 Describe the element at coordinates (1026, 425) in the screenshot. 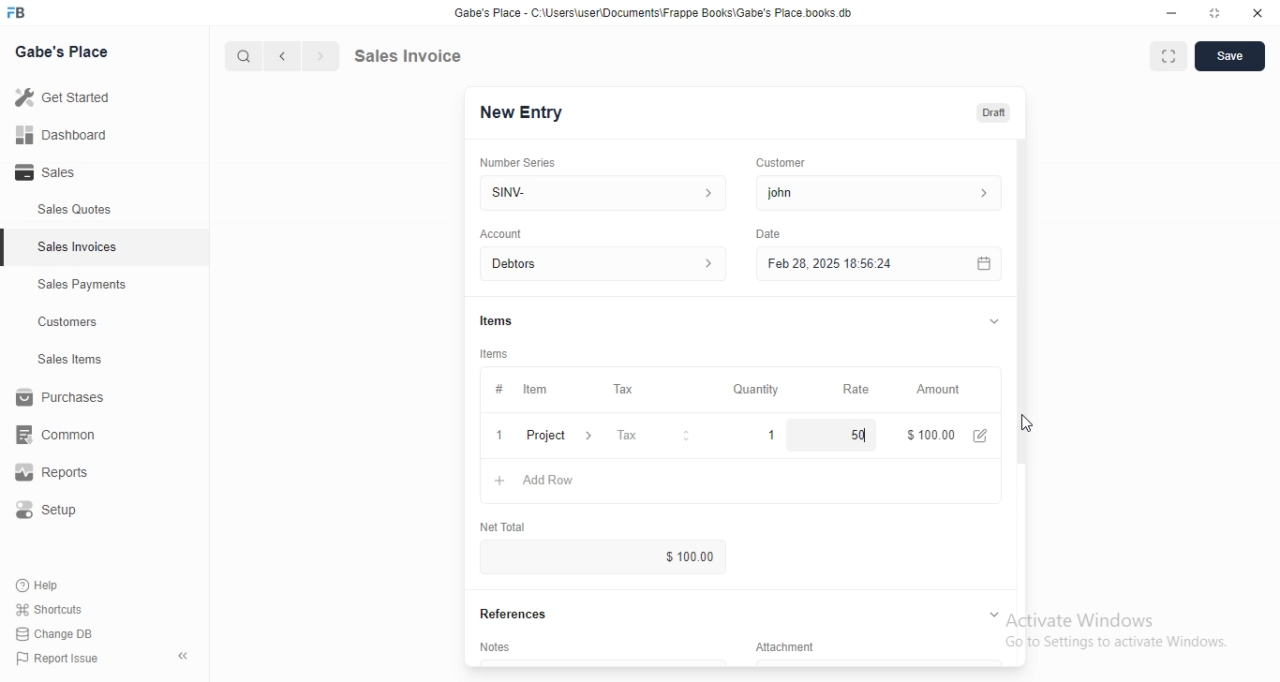

I see `cursor` at that location.